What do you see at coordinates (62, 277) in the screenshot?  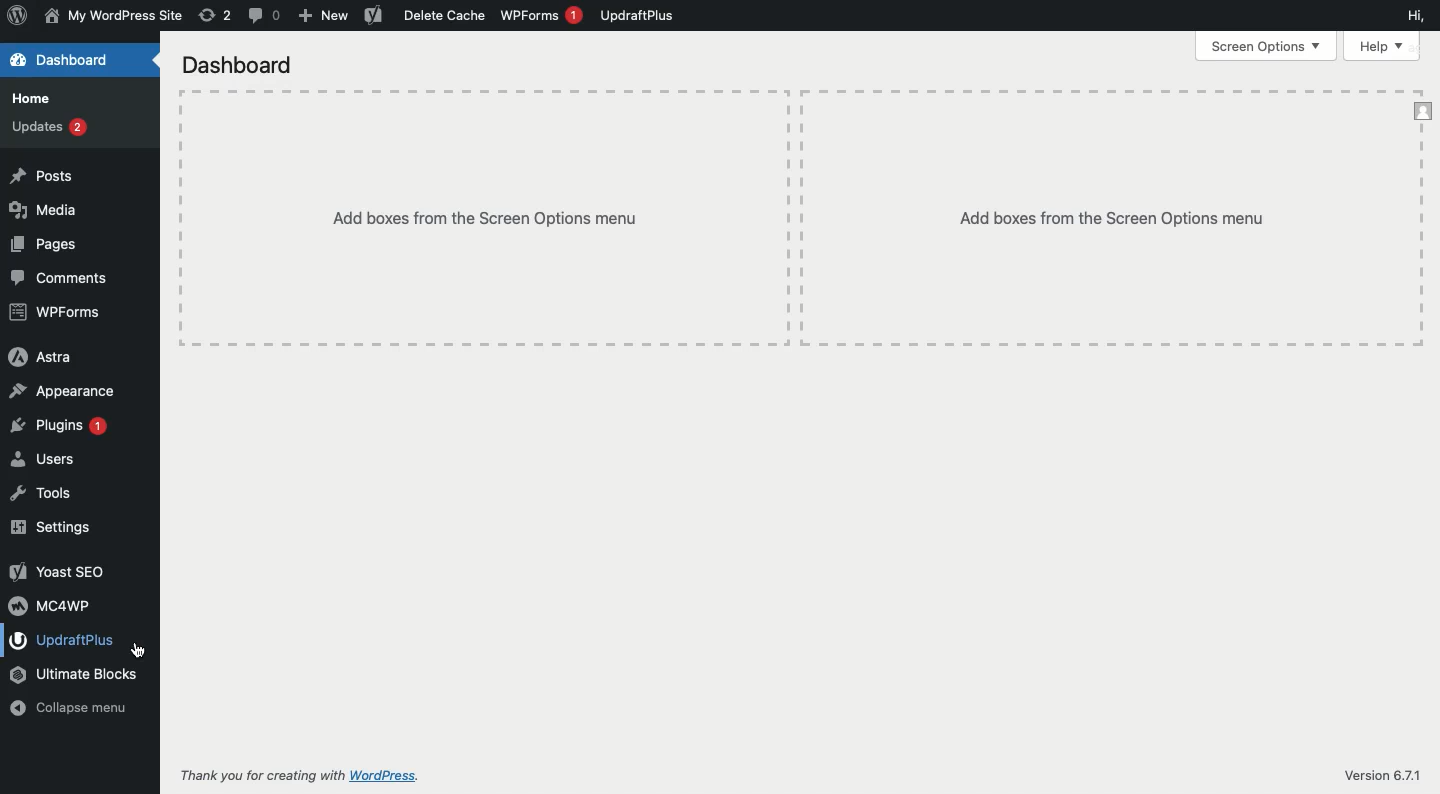 I see `Comments` at bounding box center [62, 277].